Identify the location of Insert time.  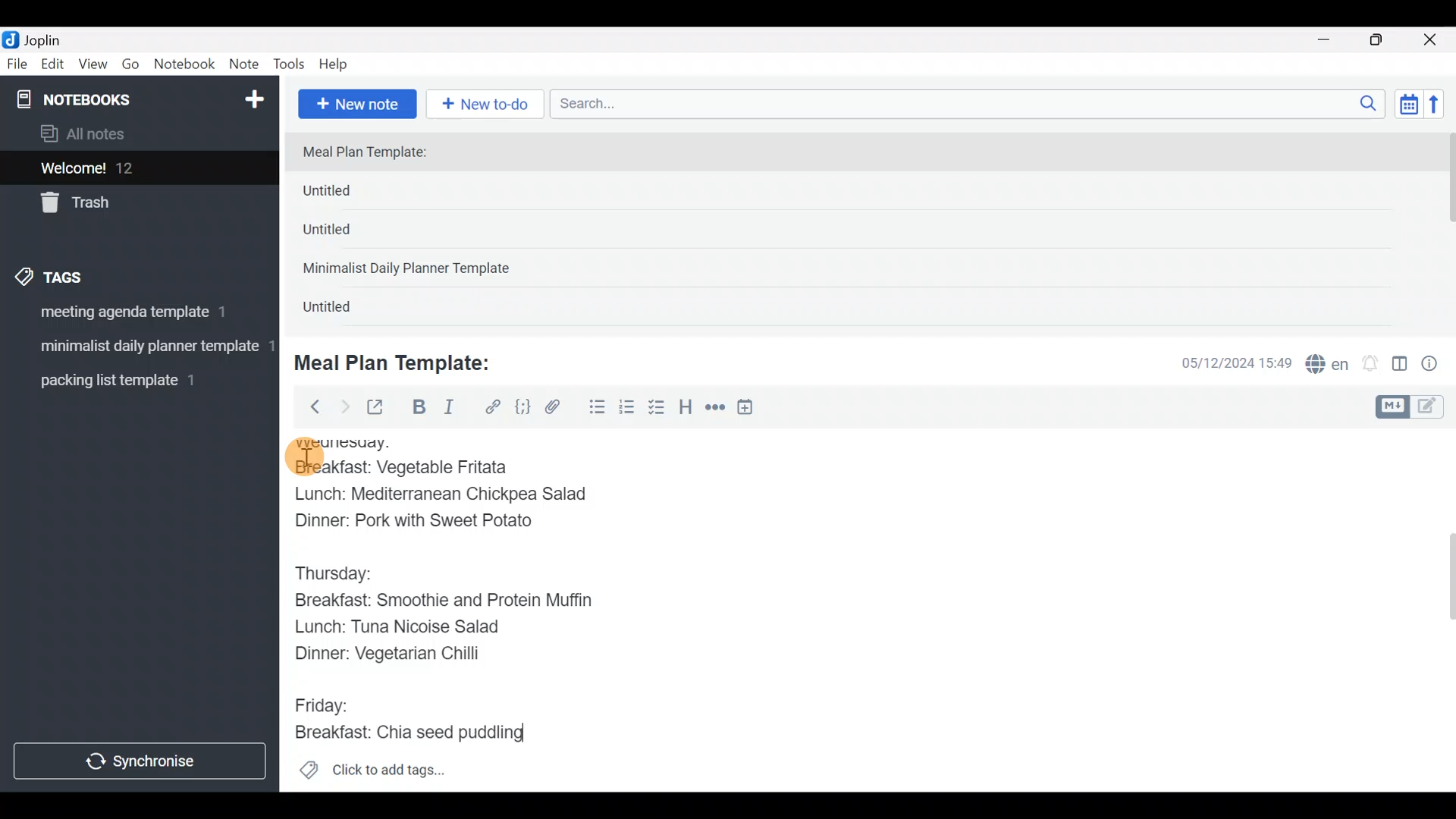
(752, 409).